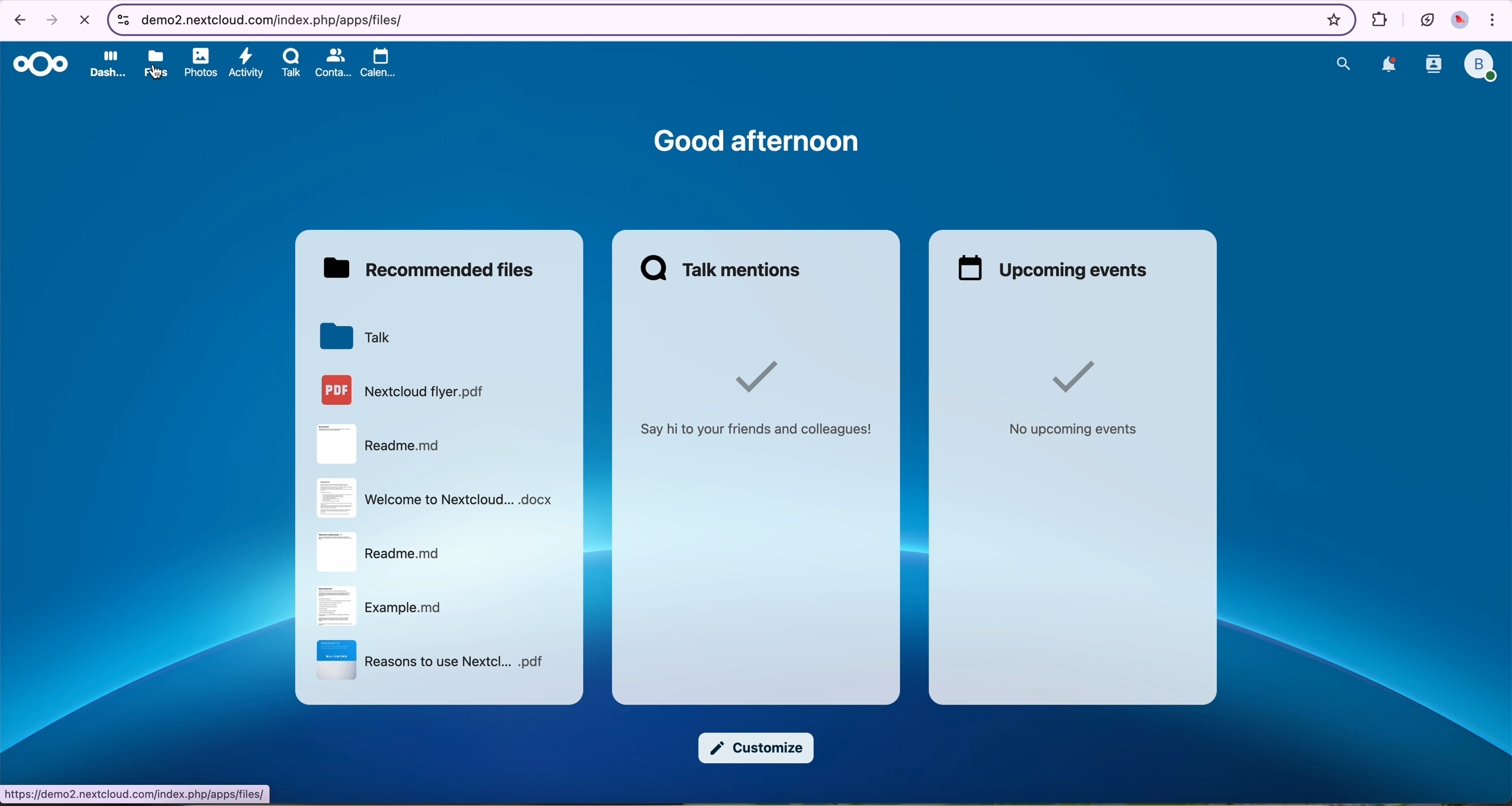 The height and width of the screenshot is (806, 1512). What do you see at coordinates (272, 18) in the screenshot?
I see `URL` at bounding box center [272, 18].